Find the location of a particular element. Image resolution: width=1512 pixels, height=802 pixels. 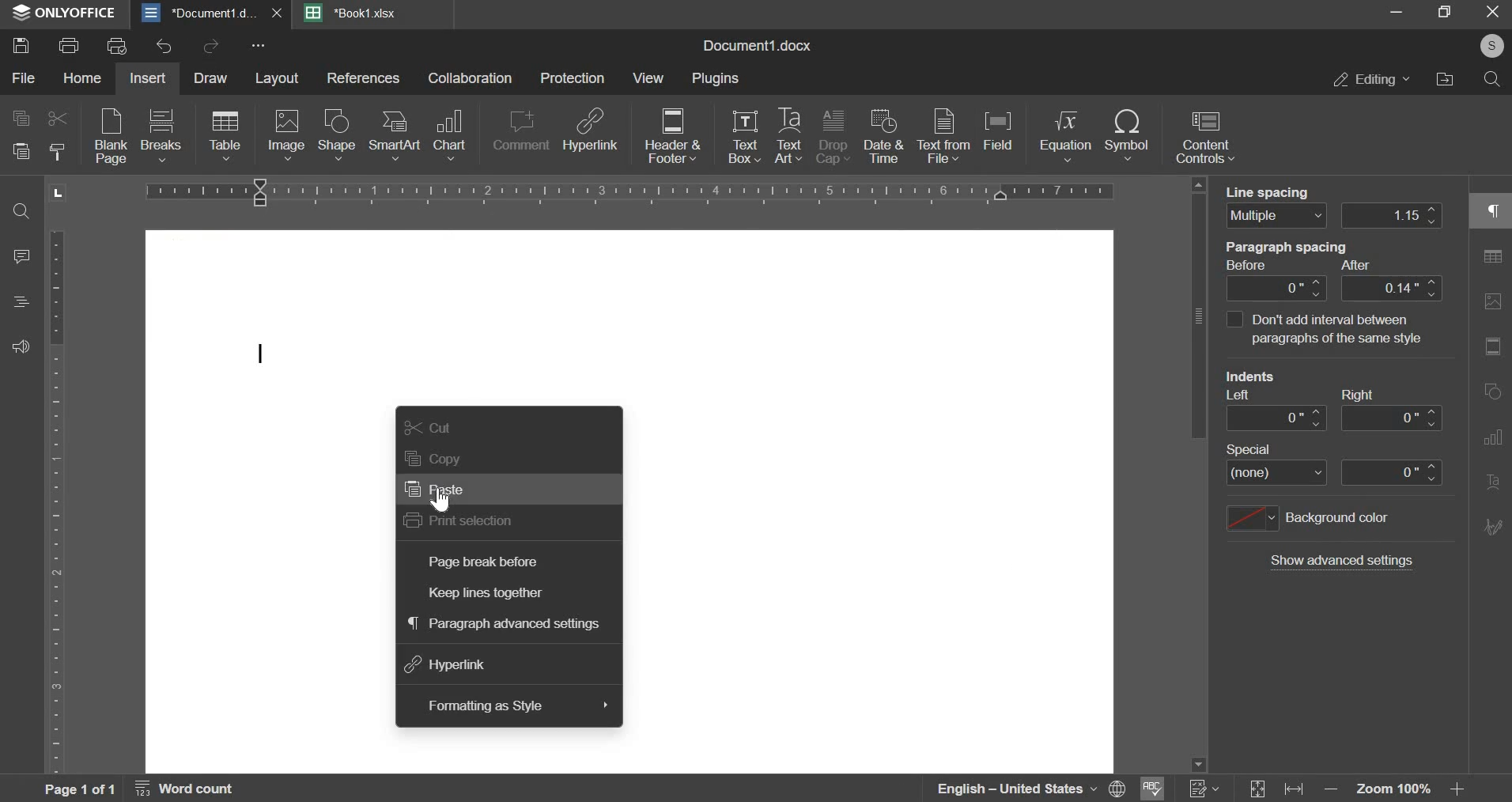

table is located at coordinates (225, 138).